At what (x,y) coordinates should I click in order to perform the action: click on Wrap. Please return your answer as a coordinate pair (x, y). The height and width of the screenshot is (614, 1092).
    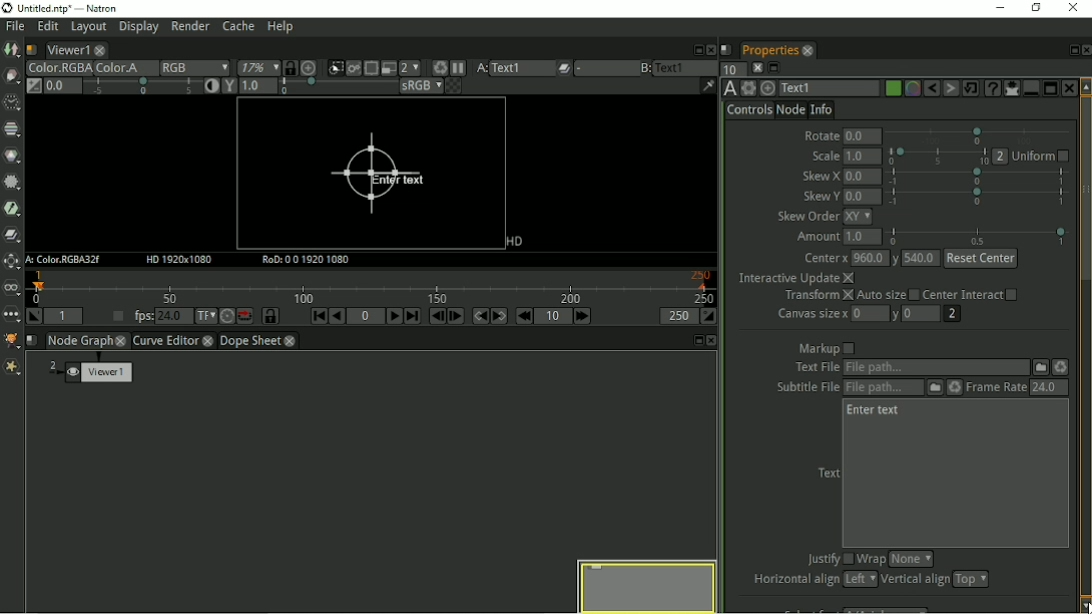
    Looking at the image, I should click on (870, 558).